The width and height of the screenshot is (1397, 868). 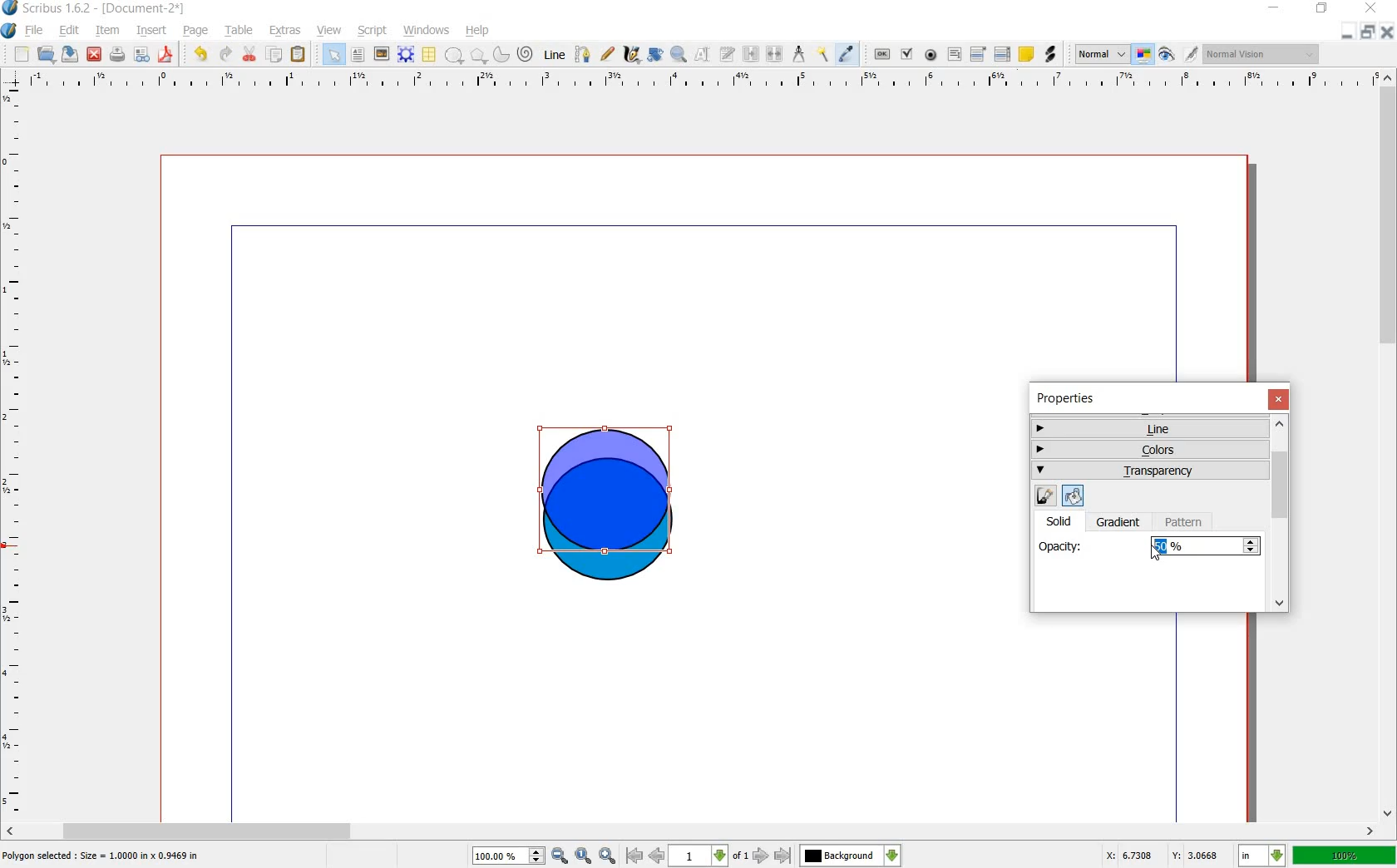 I want to click on cut, so click(x=251, y=55).